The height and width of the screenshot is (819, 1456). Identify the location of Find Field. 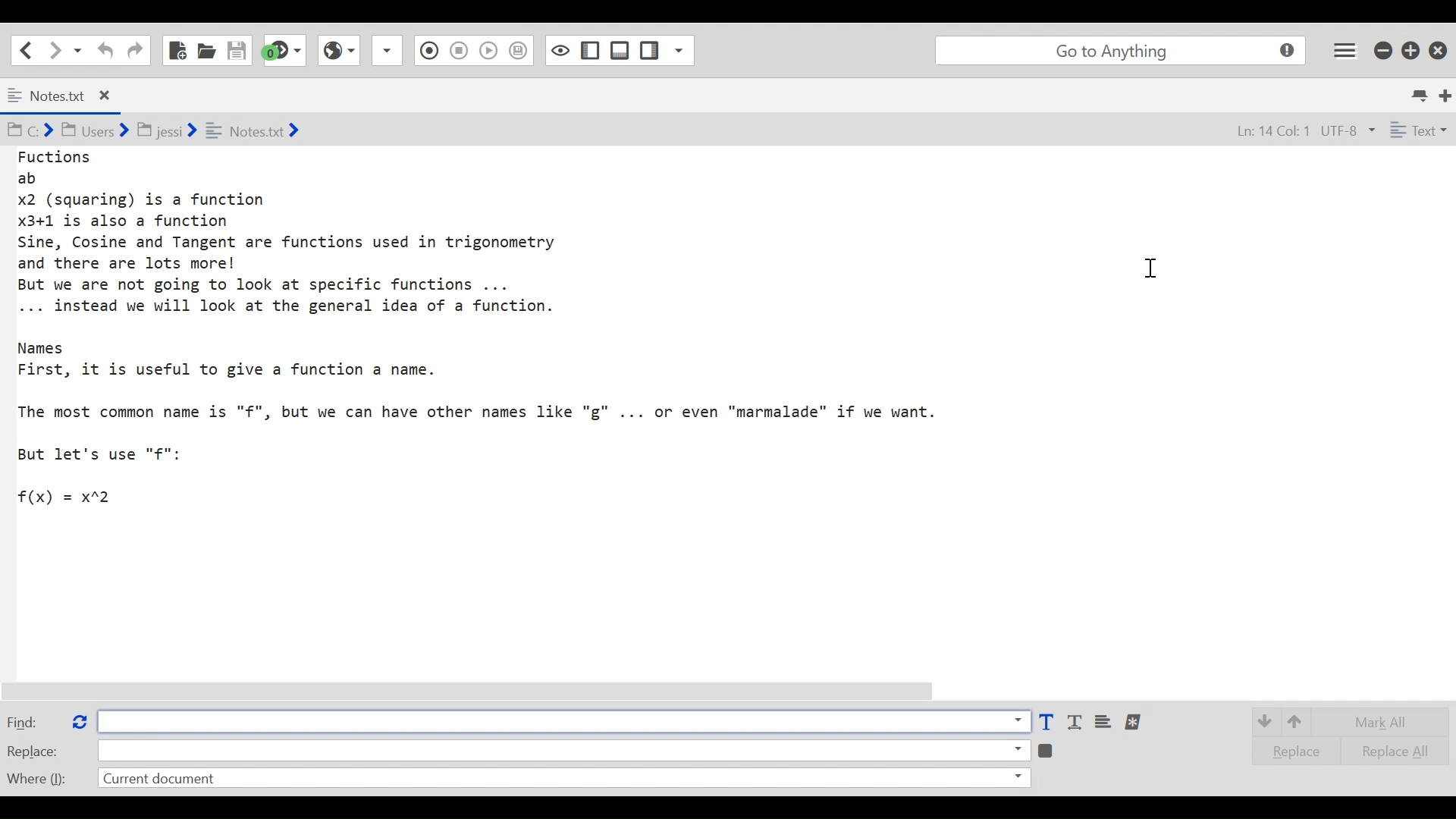
(559, 721).